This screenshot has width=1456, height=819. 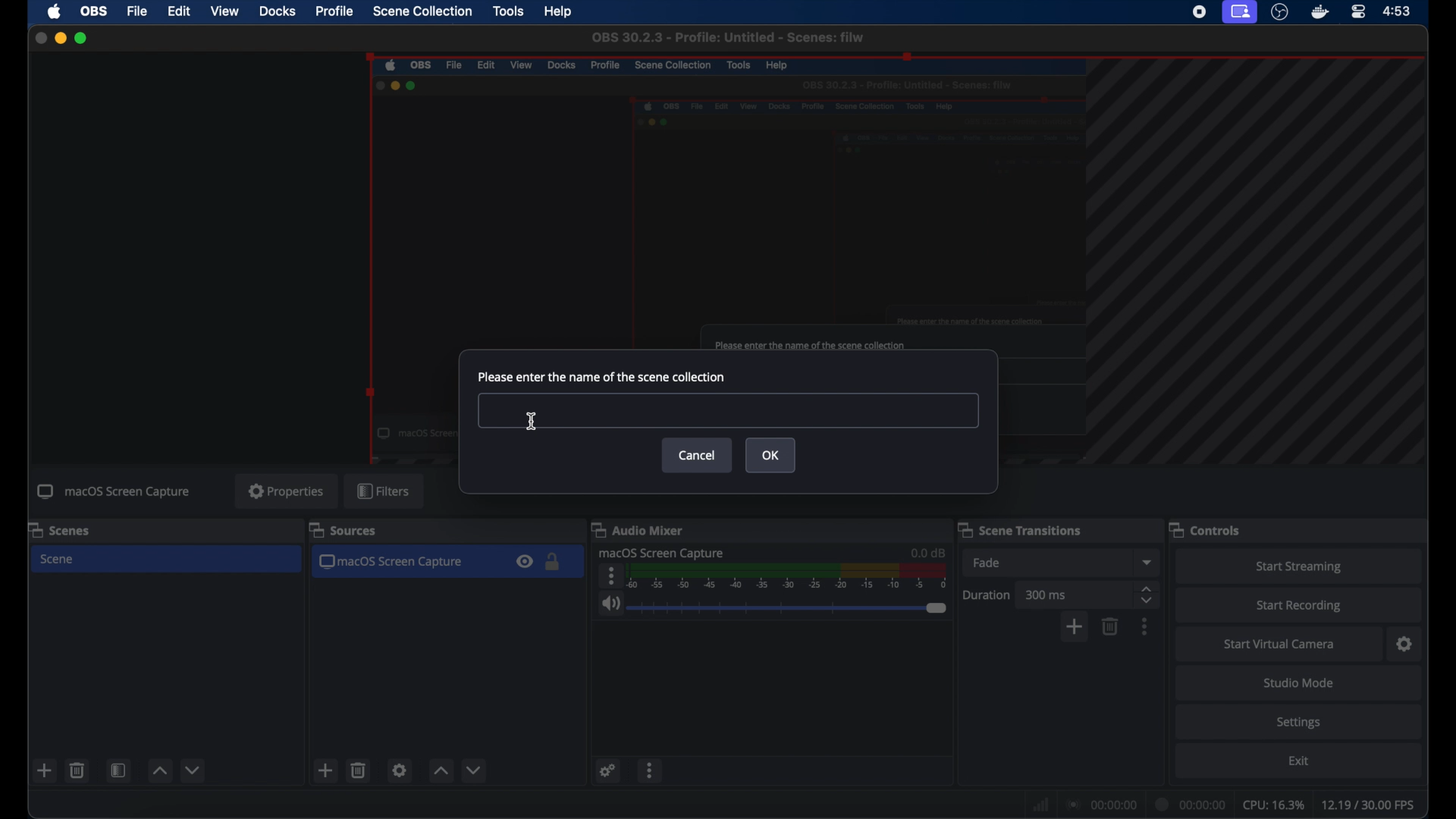 I want to click on increment, so click(x=441, y=771).